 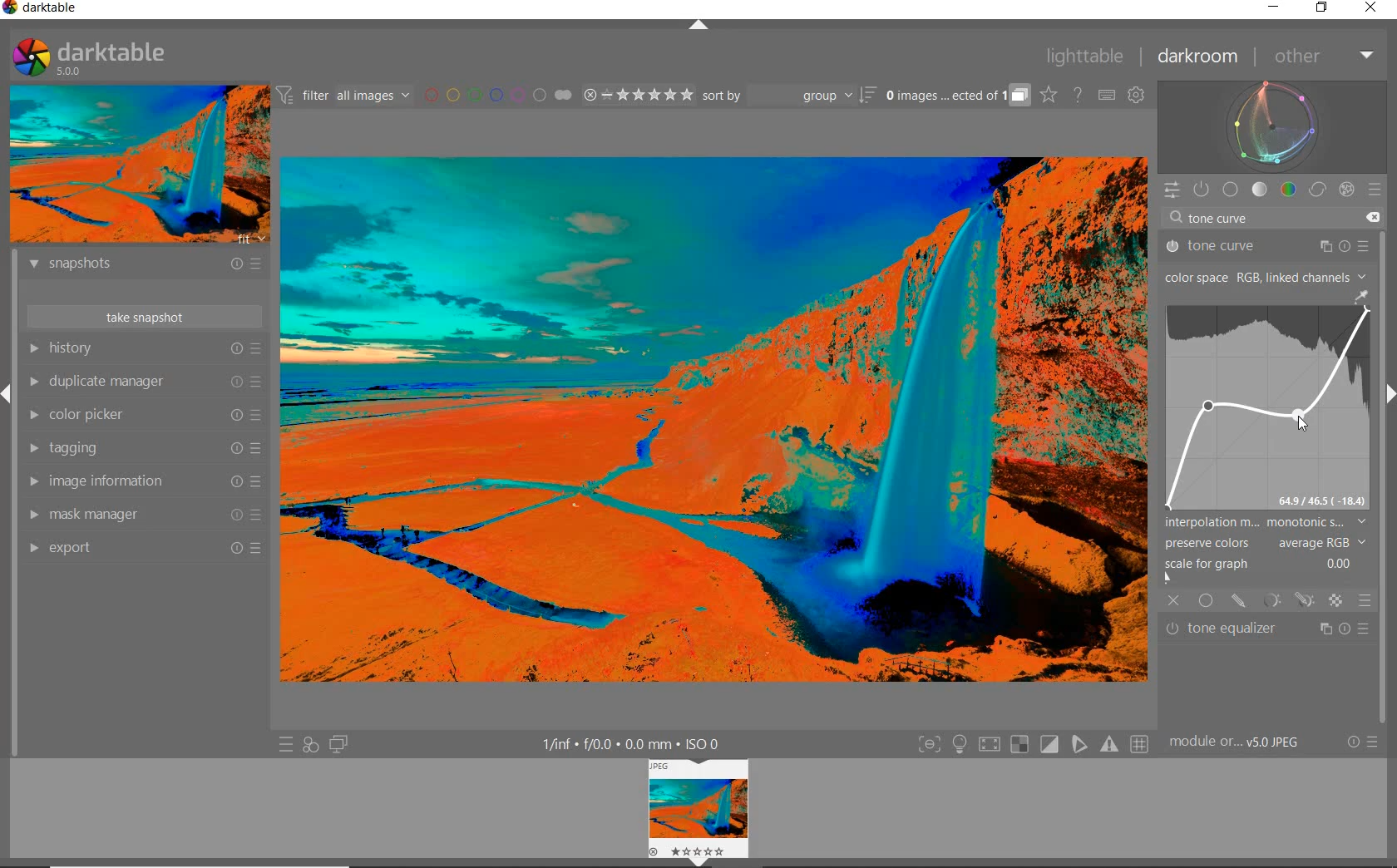 What do you see at coordinates (1301, 418) in the screenshot?
I see `CURSOR` at bounding box center [1301, 418].